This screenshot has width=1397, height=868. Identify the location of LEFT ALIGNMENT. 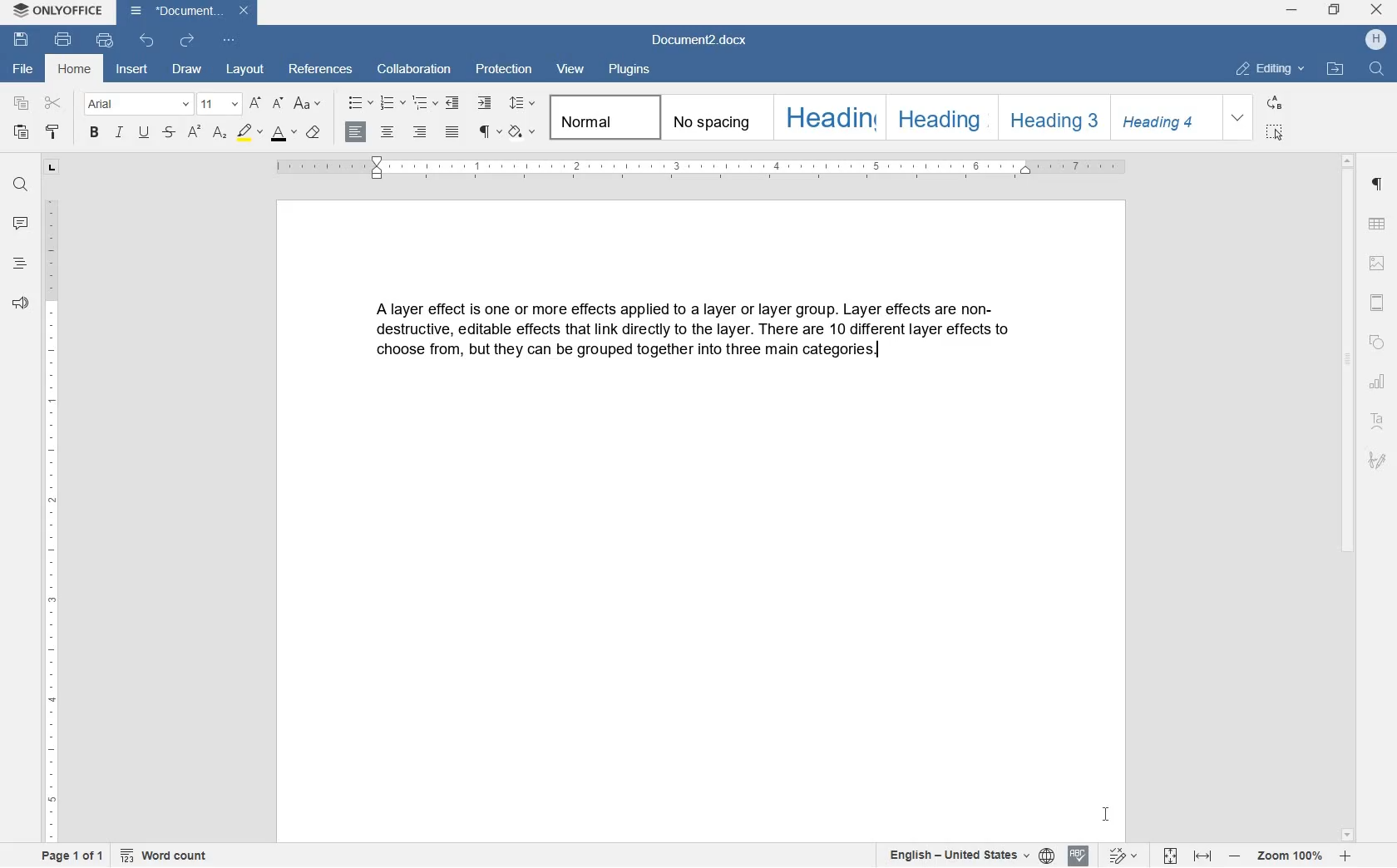
(357, 132).